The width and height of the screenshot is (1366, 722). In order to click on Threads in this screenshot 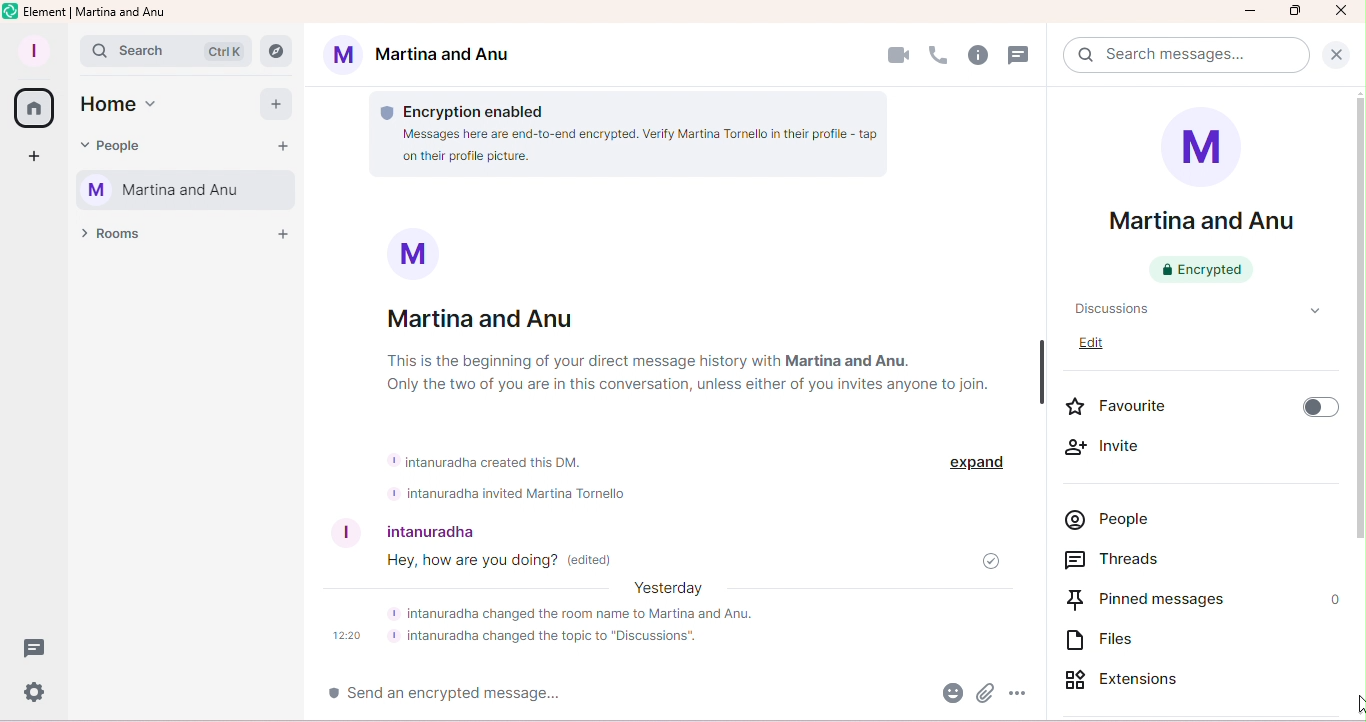, I will do `click(1020, 56)`.